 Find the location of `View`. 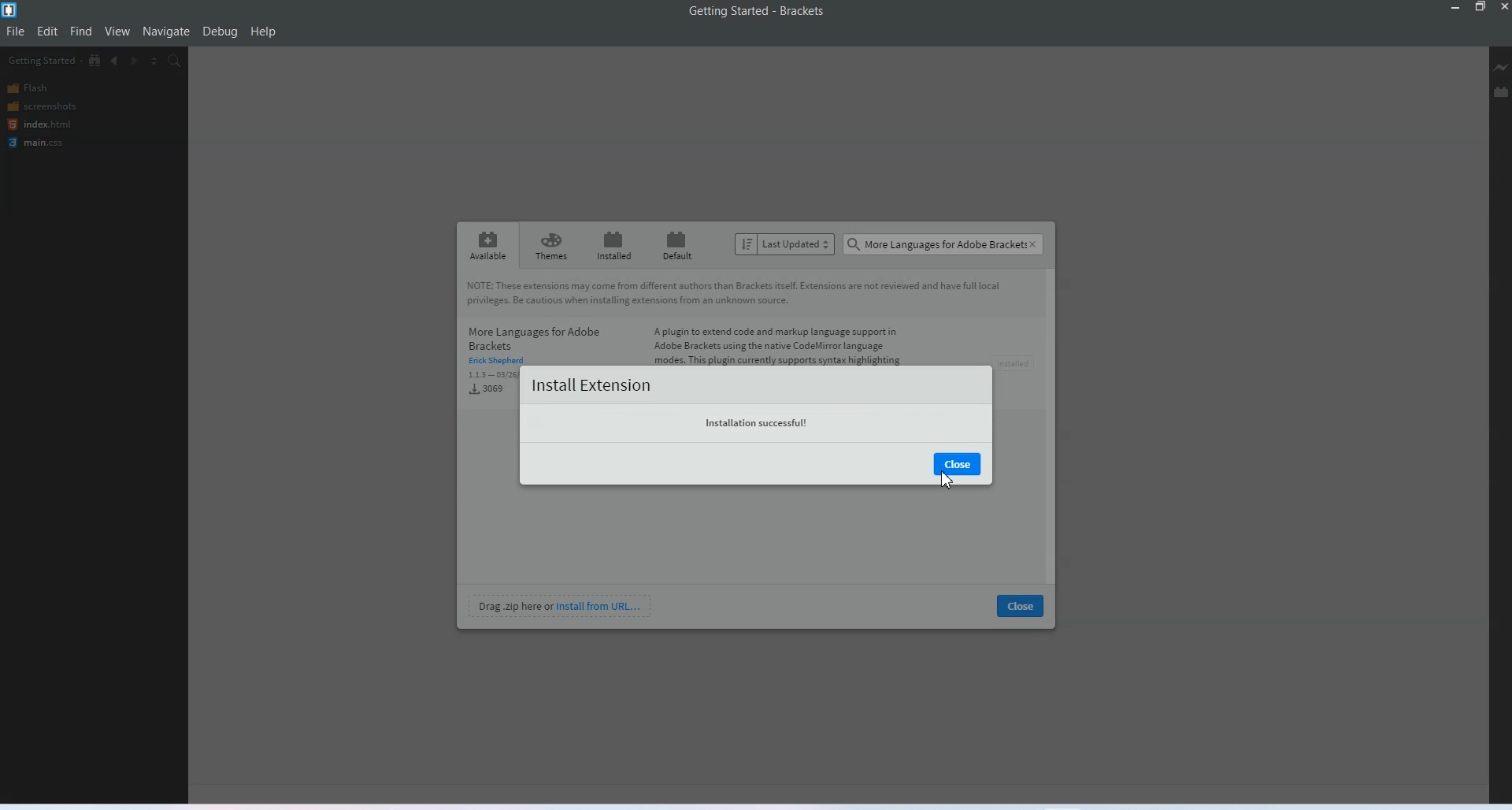

View is located at coordinates (117, 32).